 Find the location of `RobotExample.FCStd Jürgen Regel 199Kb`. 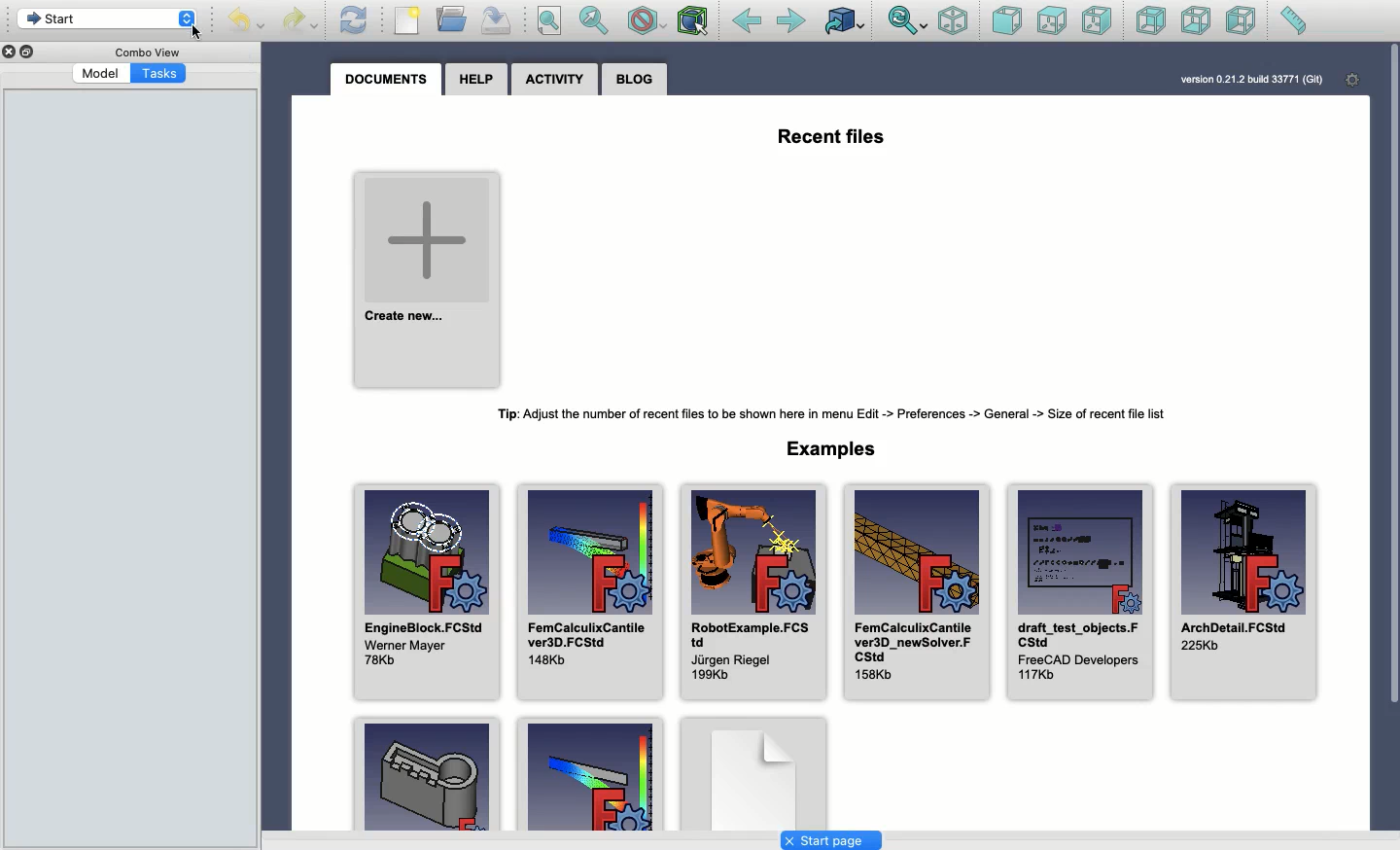

RobotExample.FCStd Jürgen Regel 199Kb is located at coordinates (752, 593).